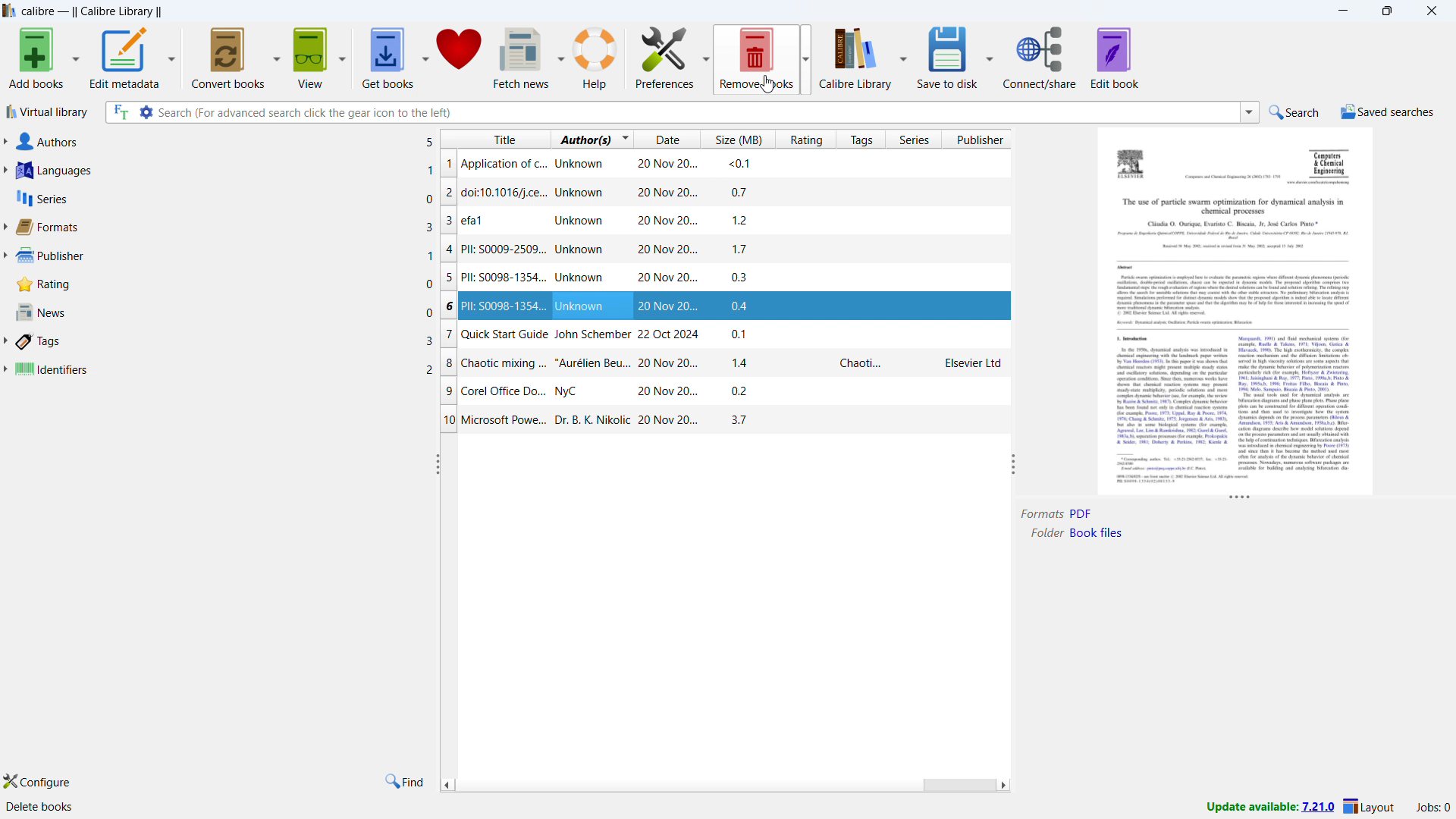 This screenshot has width=1456, height=819. What do you see at coordinates (716, 390) in the screenshot?
I see `Corel Office Do..` at bounding box center [716, 390].